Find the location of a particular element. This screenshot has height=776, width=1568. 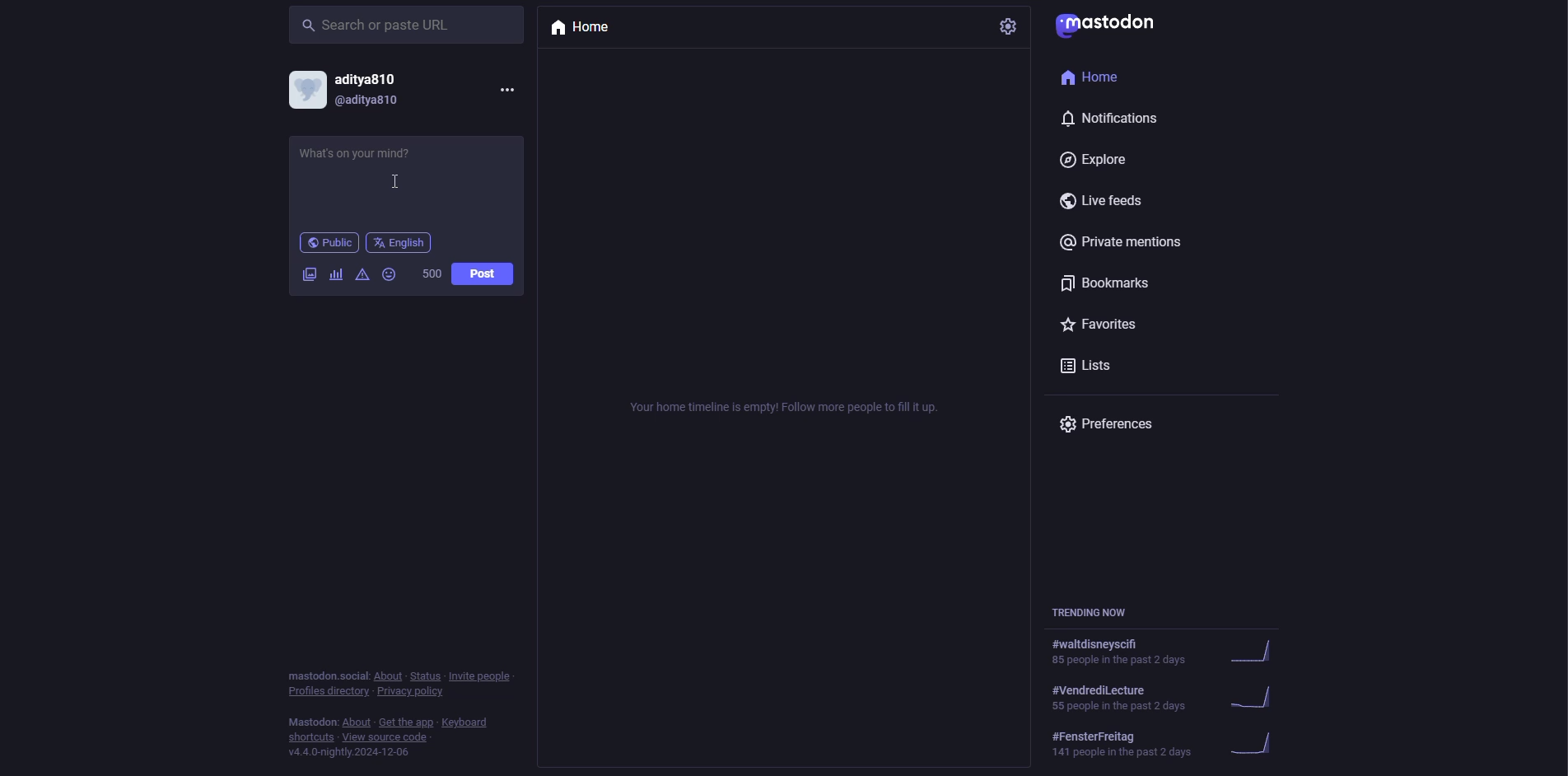

trending now is located at coordinates (1174, 652).